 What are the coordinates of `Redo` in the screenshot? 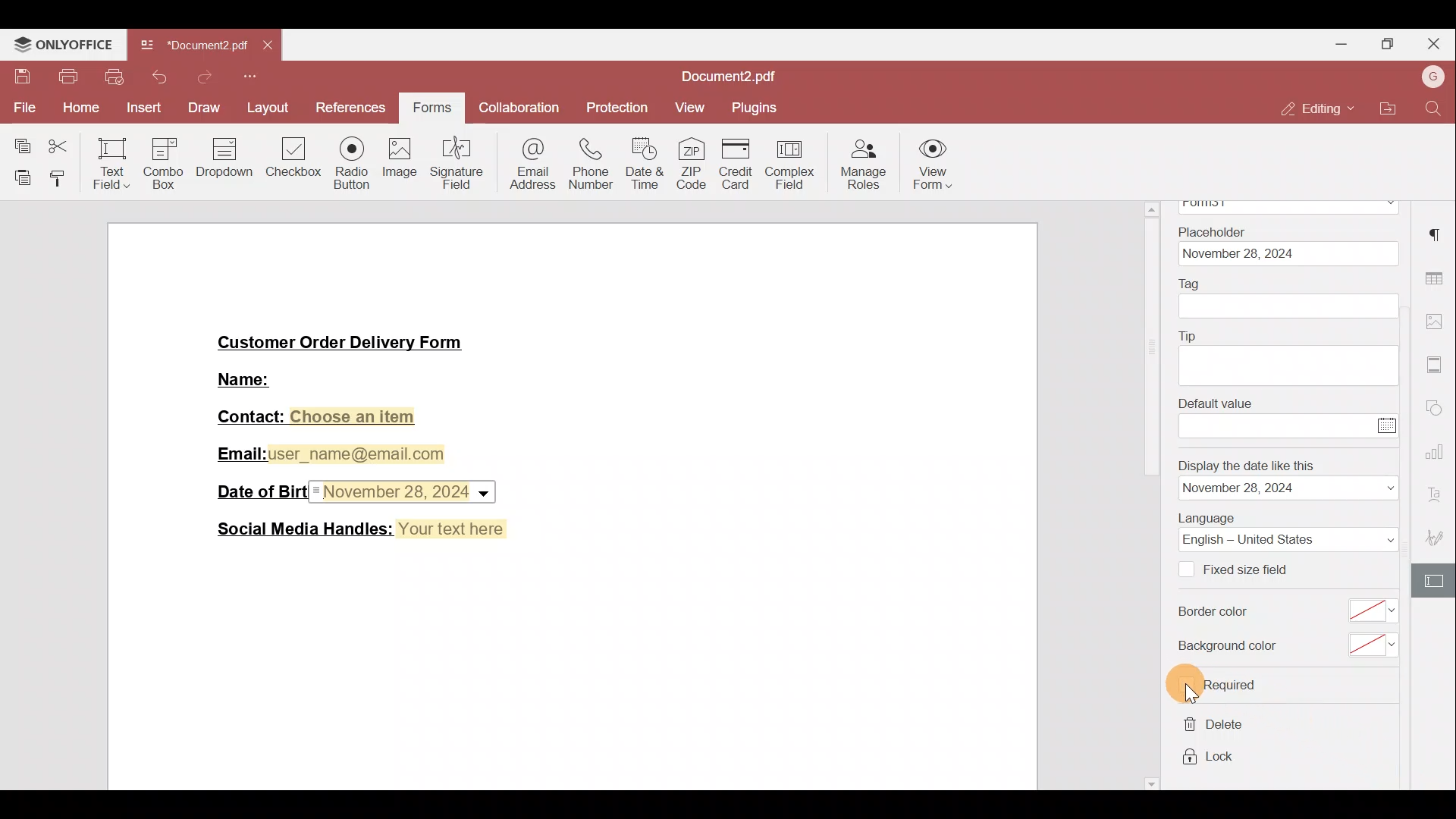 It's located at (199, 81).